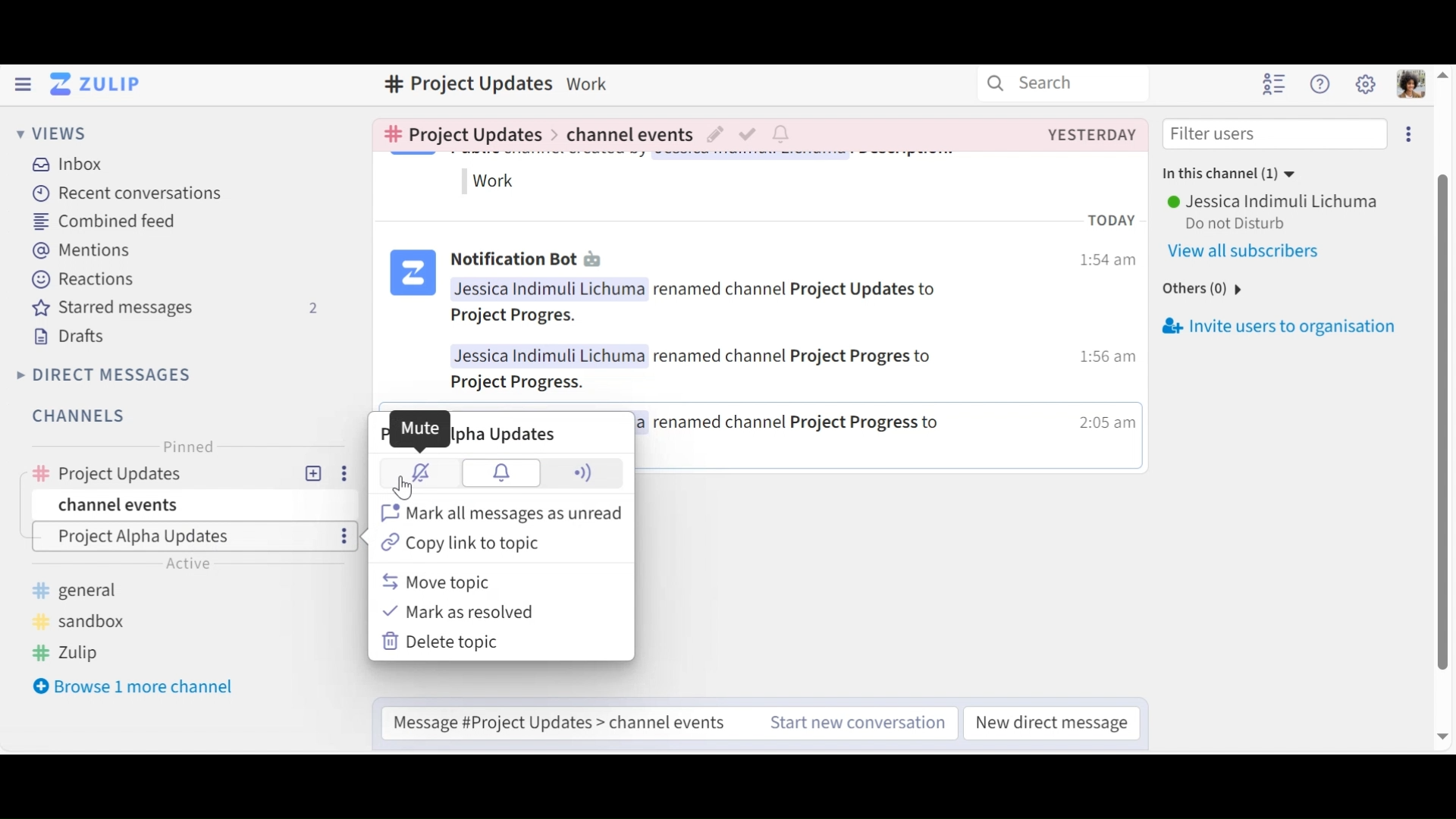  I want to click on Invite users to organisation, so click(1409, 134).